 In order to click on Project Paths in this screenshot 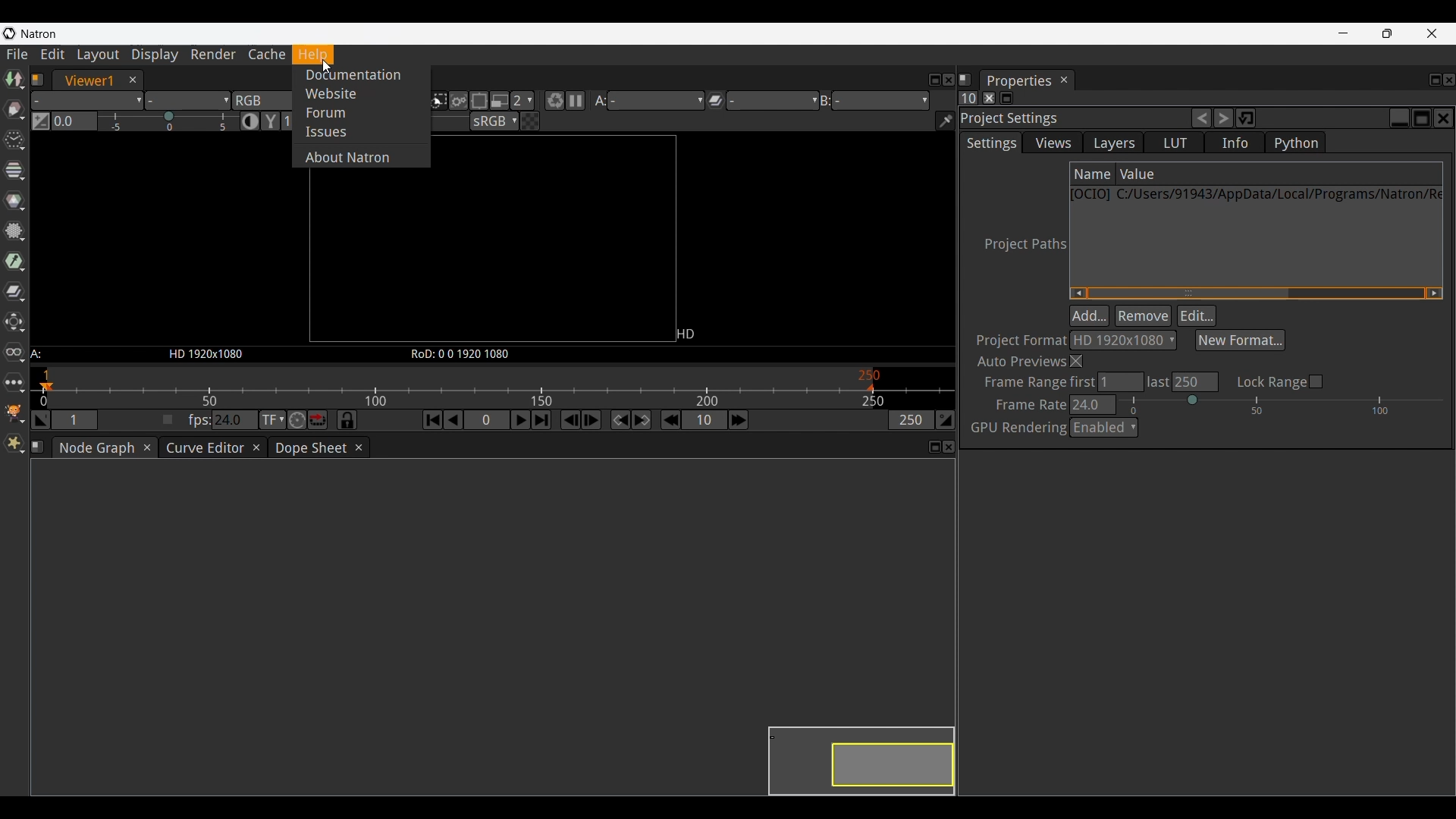, I will do `click(1025, 245)`.